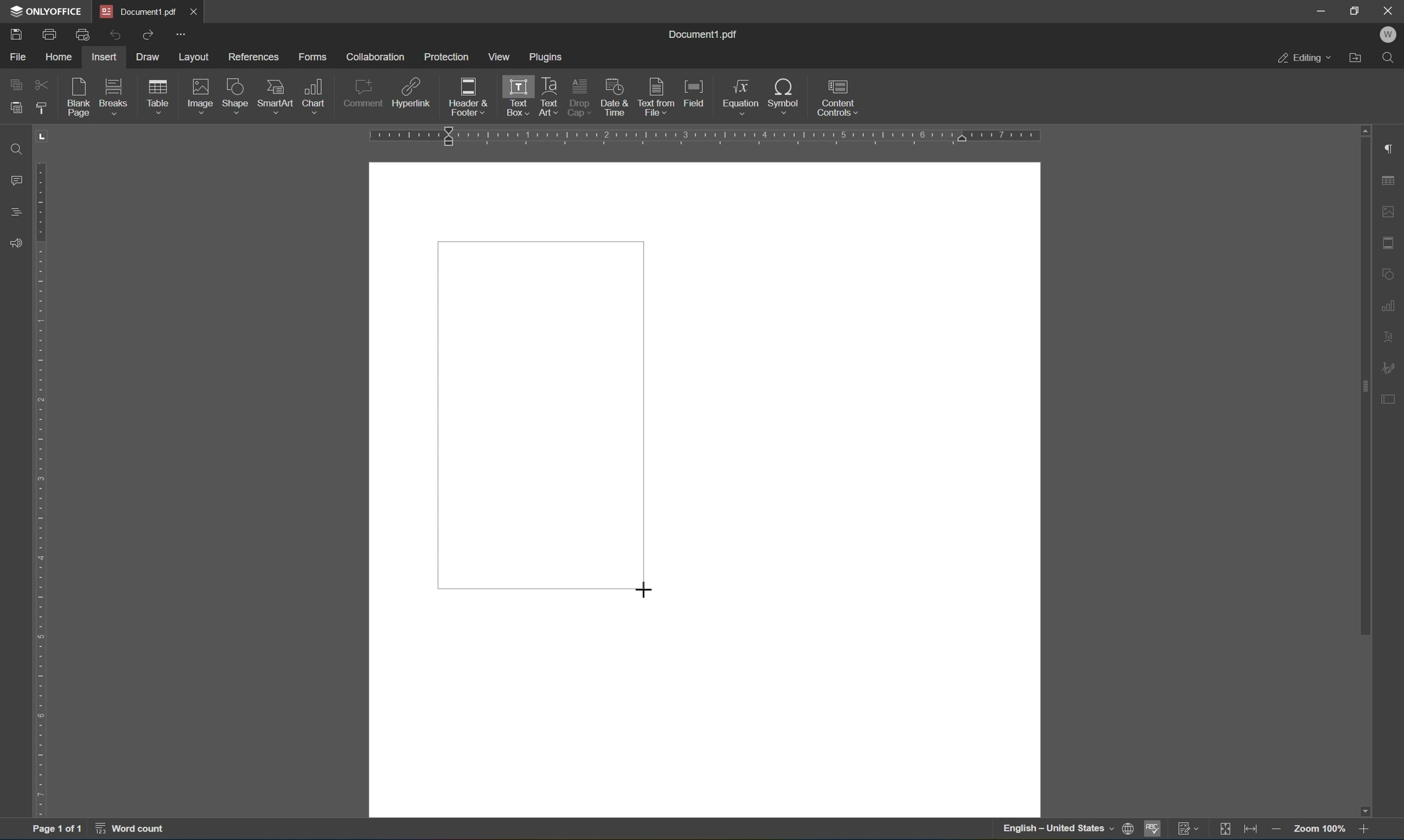 The width and height of the screenshot is (1404, 840). I want to click on plugins, so click(547, 58).